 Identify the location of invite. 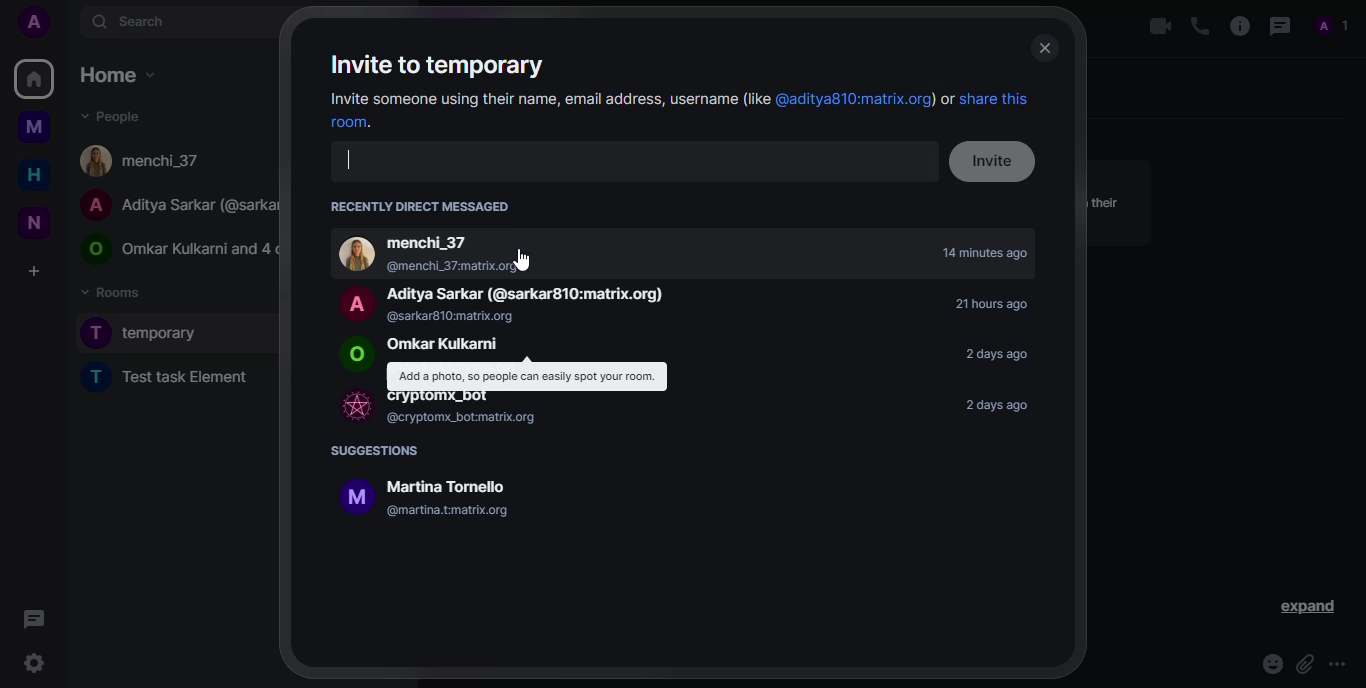
(992, 161).